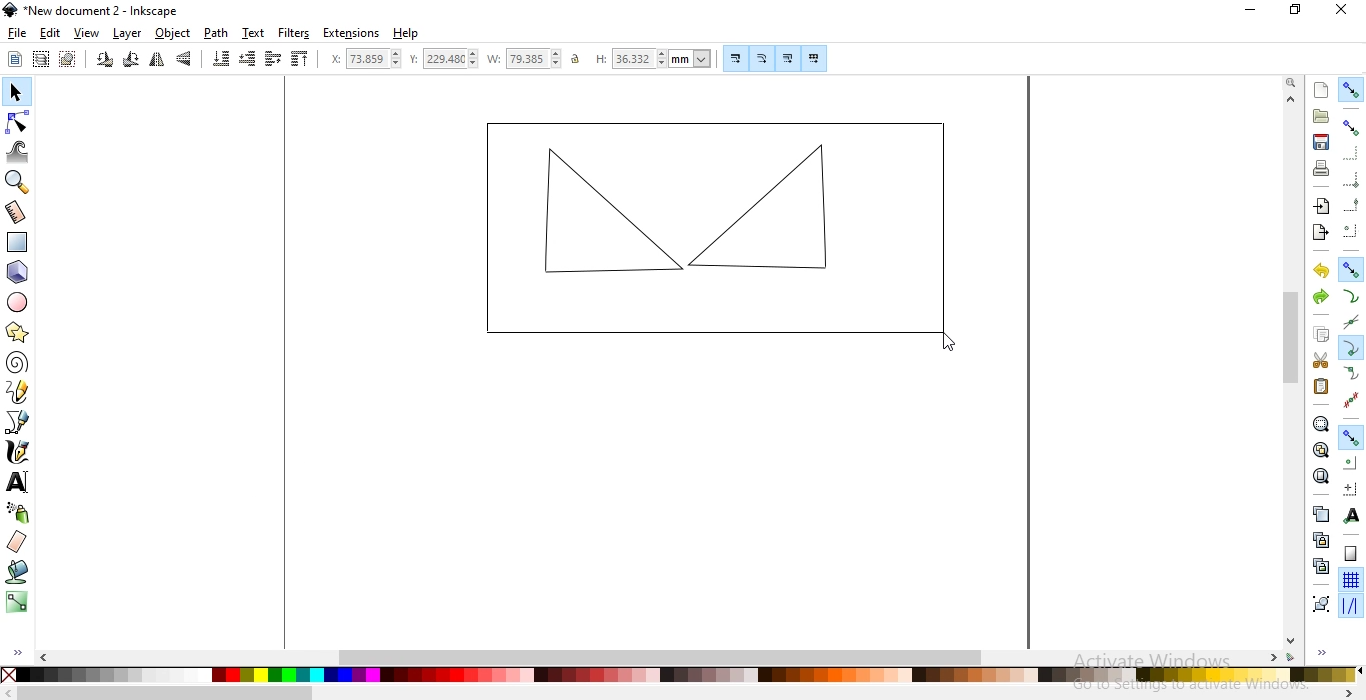  What do you see at coordinates (17, 183) in the screenshot?
I see `zoom in or out` at bounding box center [17, 183].